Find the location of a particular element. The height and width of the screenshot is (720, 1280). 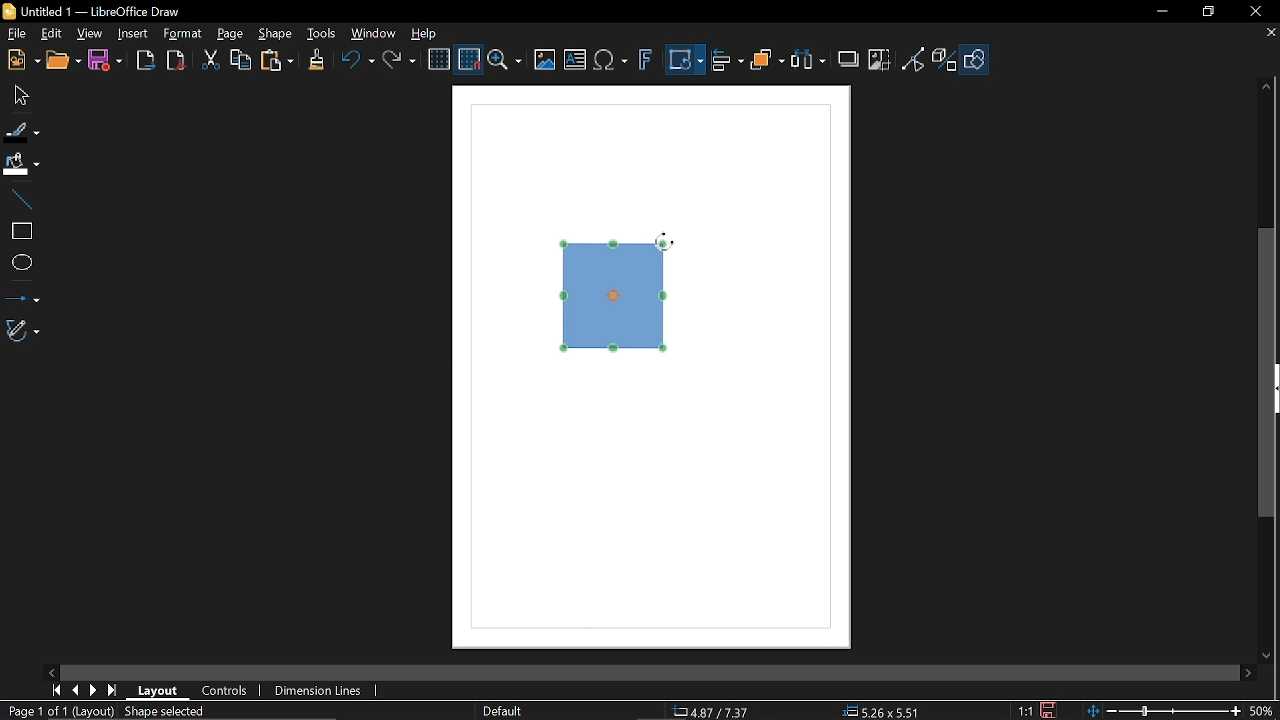

Tools is located at coordinates (321, 33).